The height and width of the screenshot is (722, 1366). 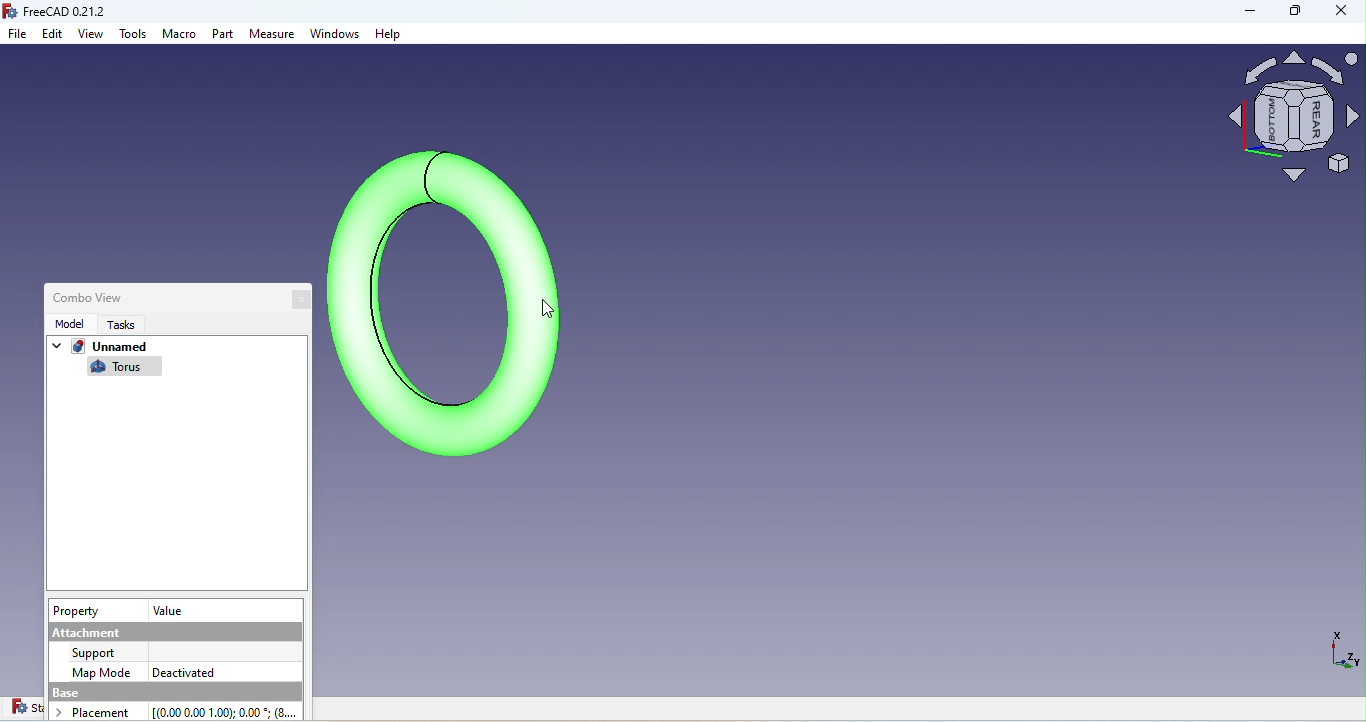 What do you see at coordinates (134, 38) in the screenshot?
I see `Tools` at bounding box center [134, 38].